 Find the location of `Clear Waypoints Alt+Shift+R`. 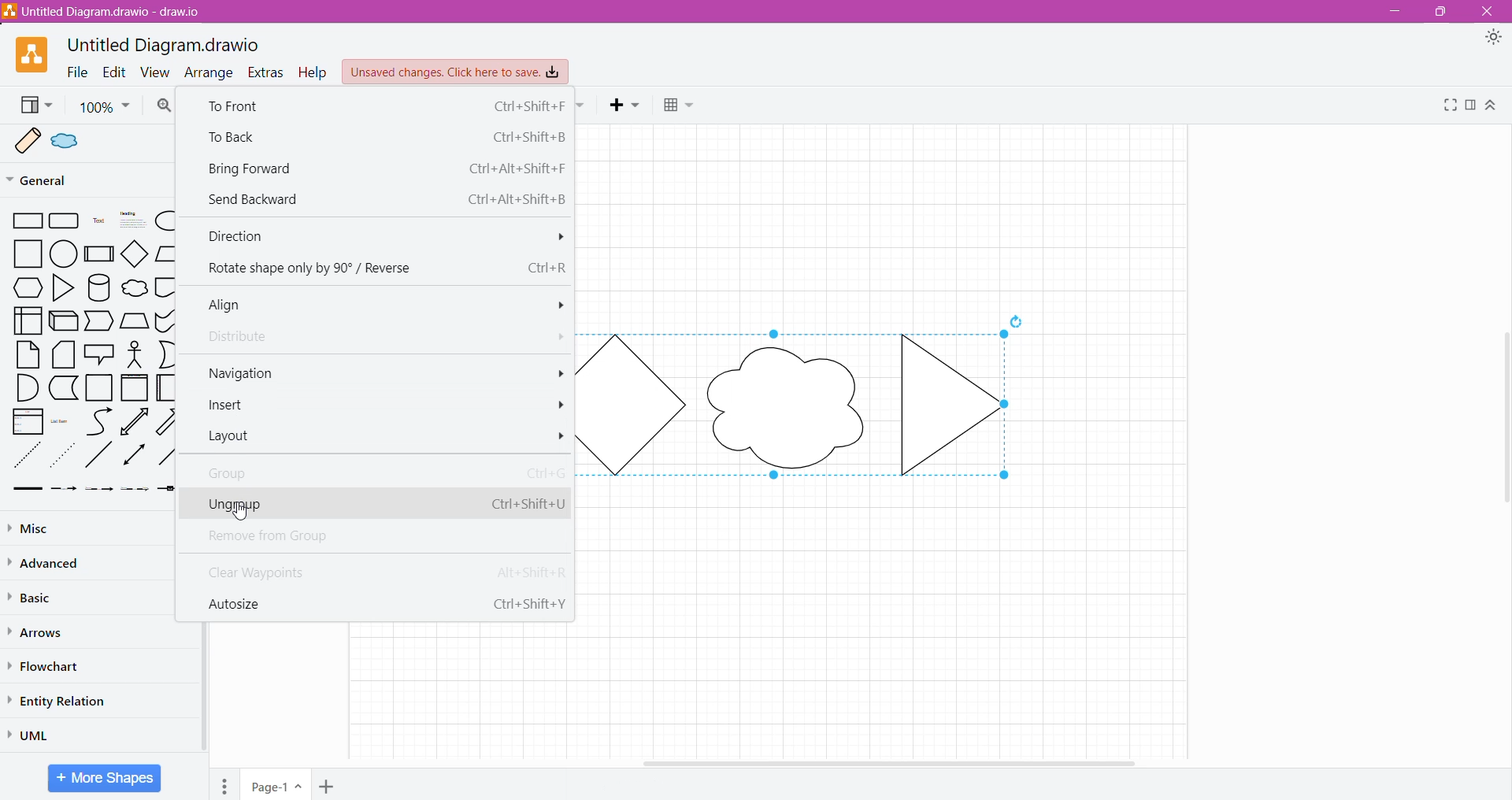

Clear Waypoints Alt+Shift+R is located at coordinates (387, 573).